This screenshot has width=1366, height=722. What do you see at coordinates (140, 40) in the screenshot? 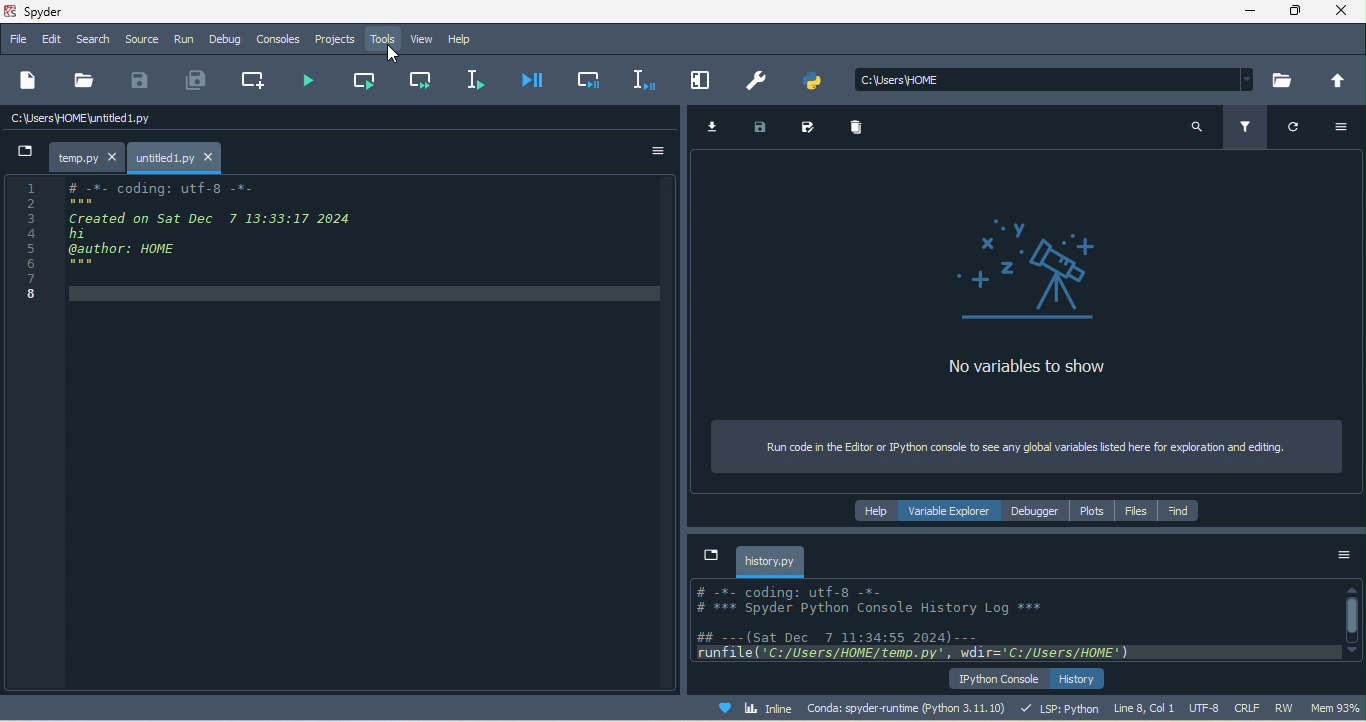
I see `source` at bounding box center [140, 40].